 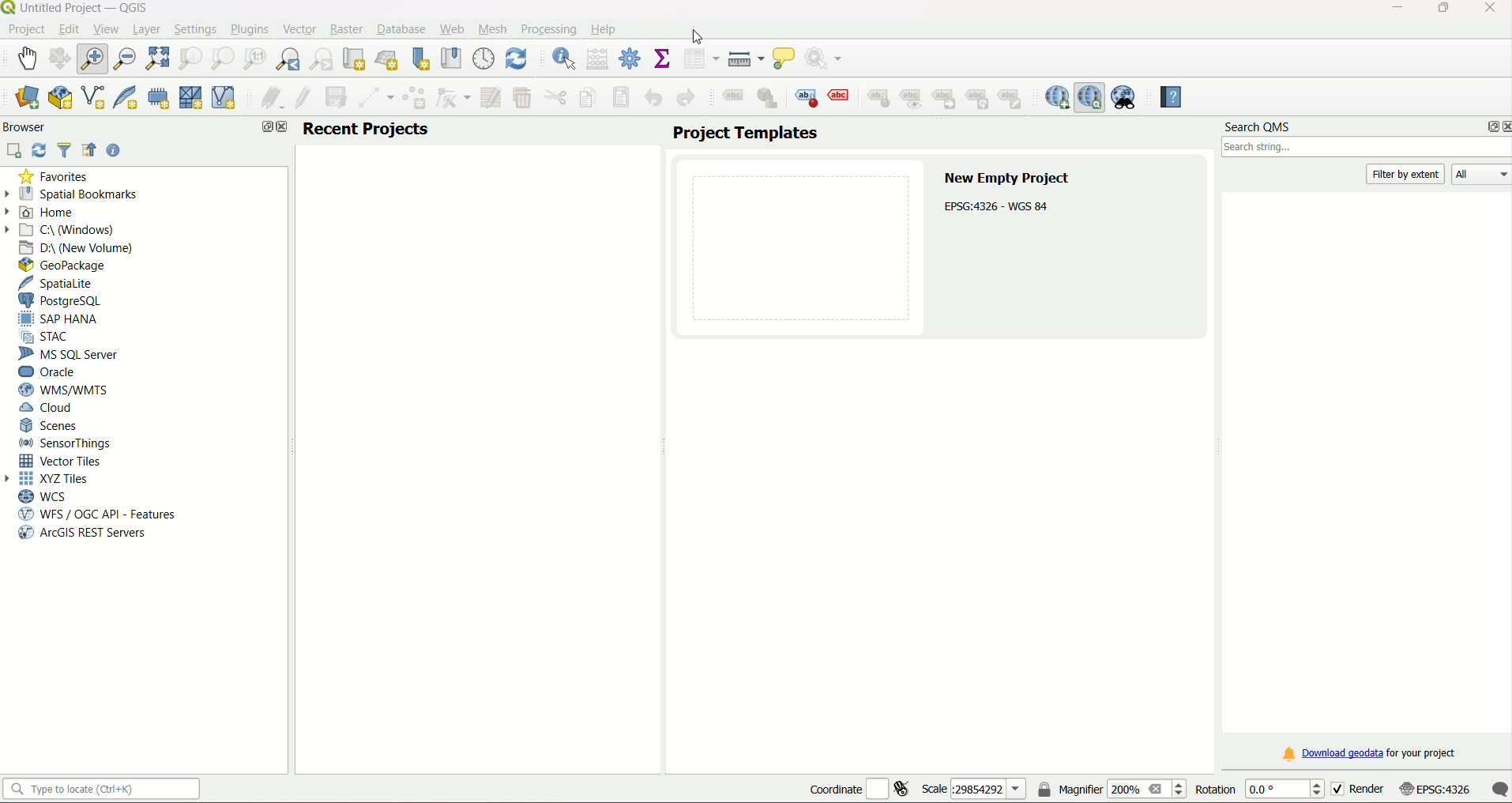 What do you see at coordinates (115, 150) in the screenshot?
I see `enable/disable properties widget` at bounding box center [115, 150].